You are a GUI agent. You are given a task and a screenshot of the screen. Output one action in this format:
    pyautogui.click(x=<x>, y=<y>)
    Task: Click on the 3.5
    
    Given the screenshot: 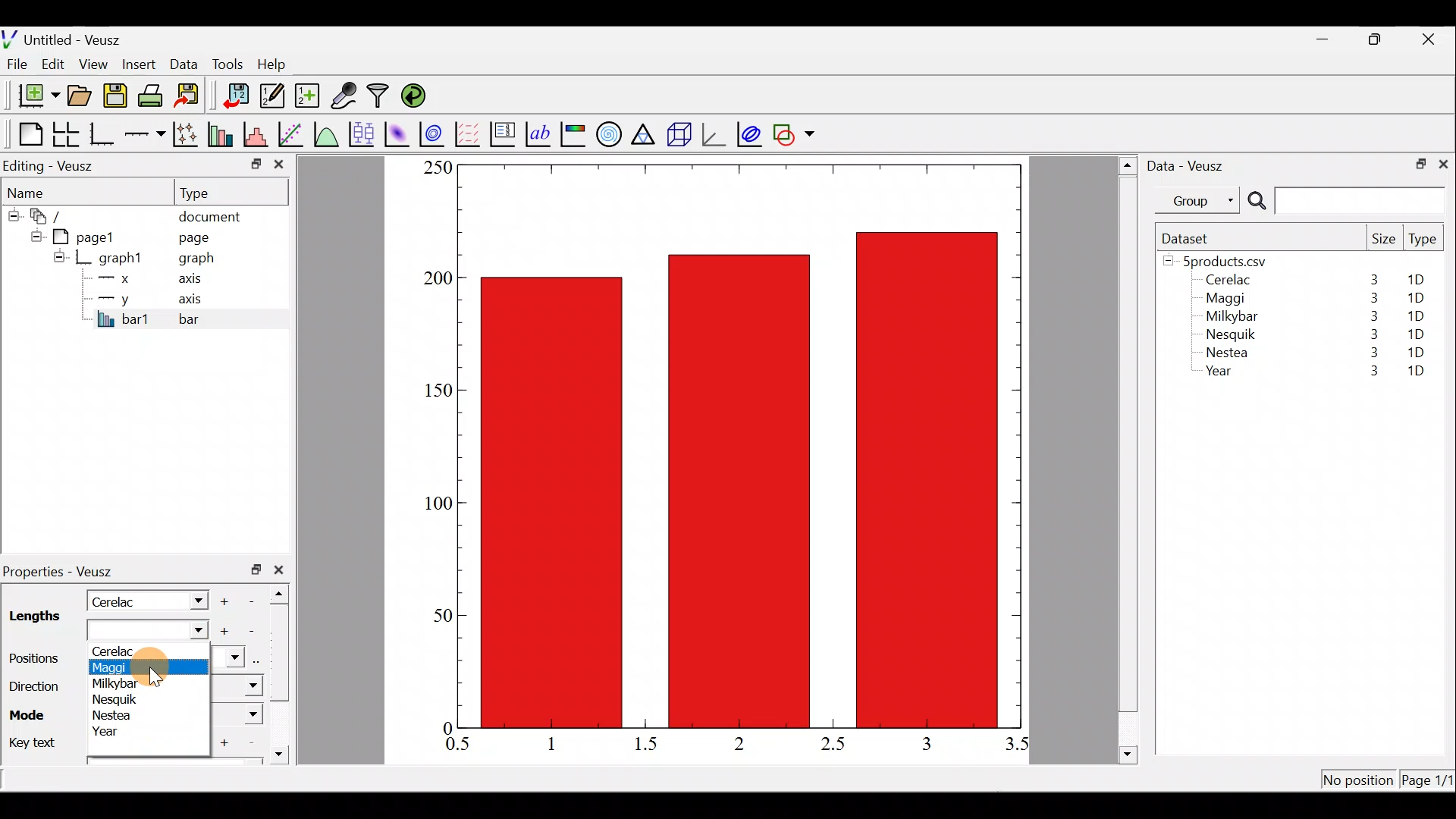 What is the action you would take?
    pyautogui.click(x=1018, y=747)
    